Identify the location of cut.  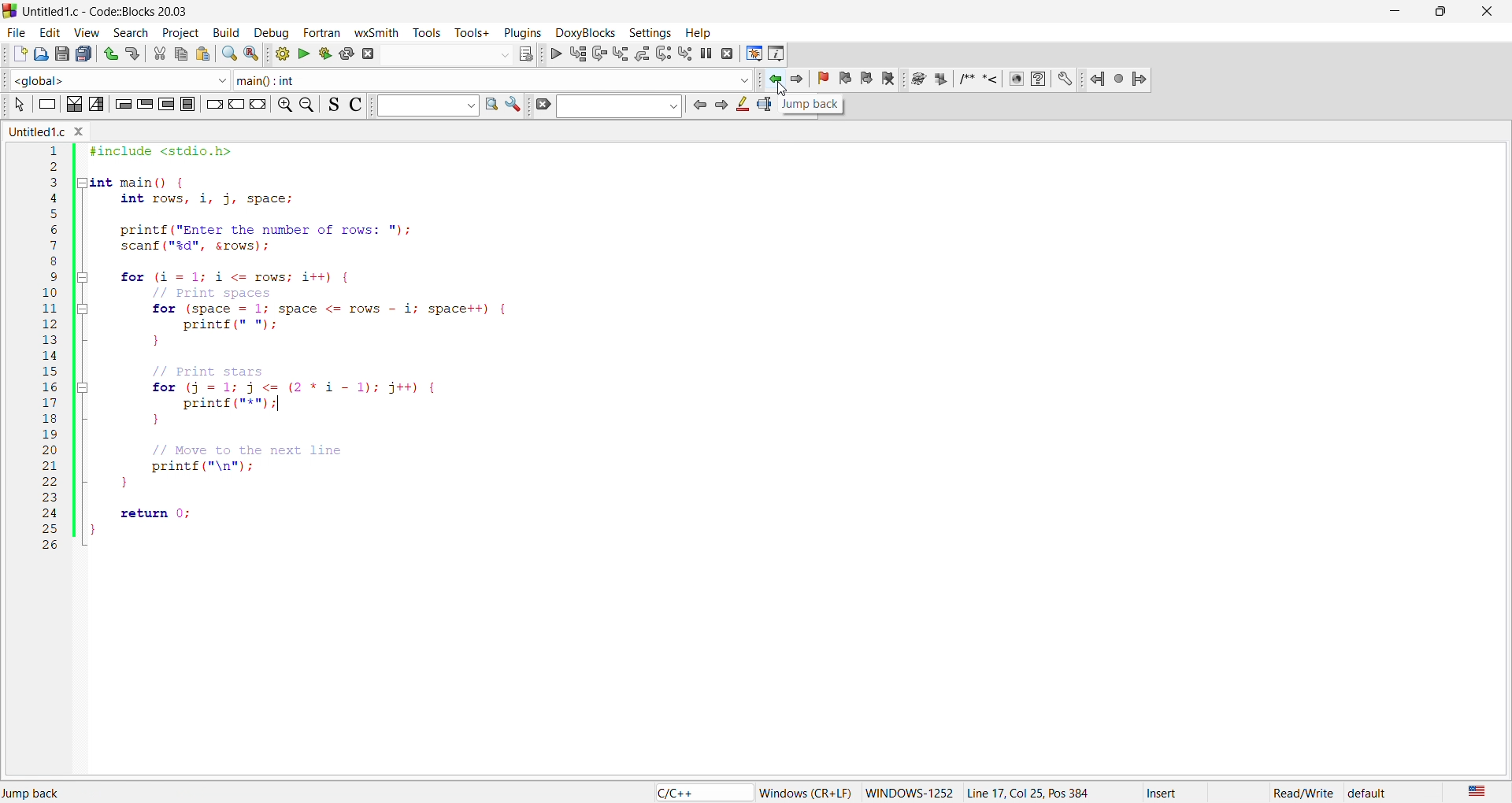
(157, 54).